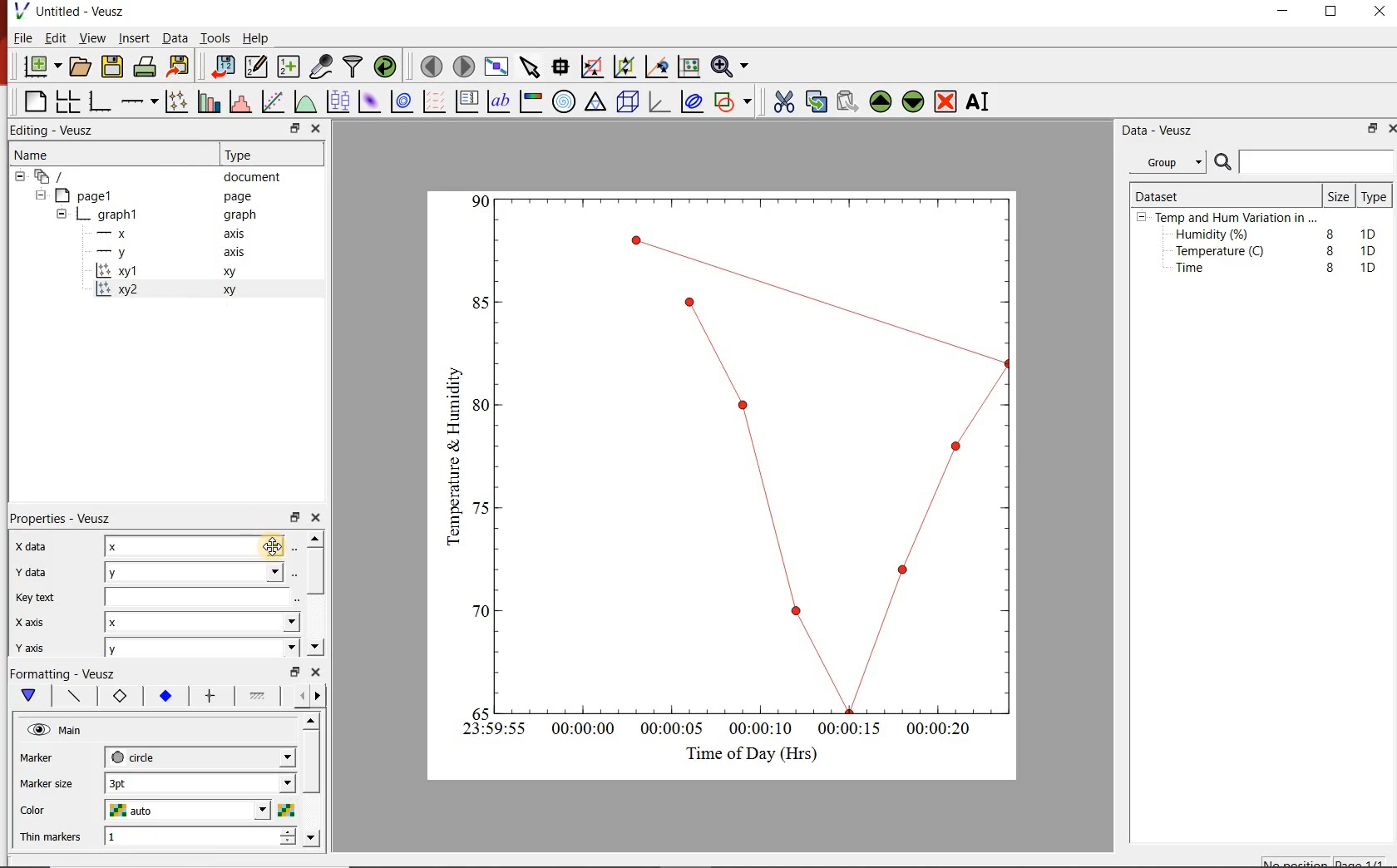  I want to click on edit text, so click(292, 599).